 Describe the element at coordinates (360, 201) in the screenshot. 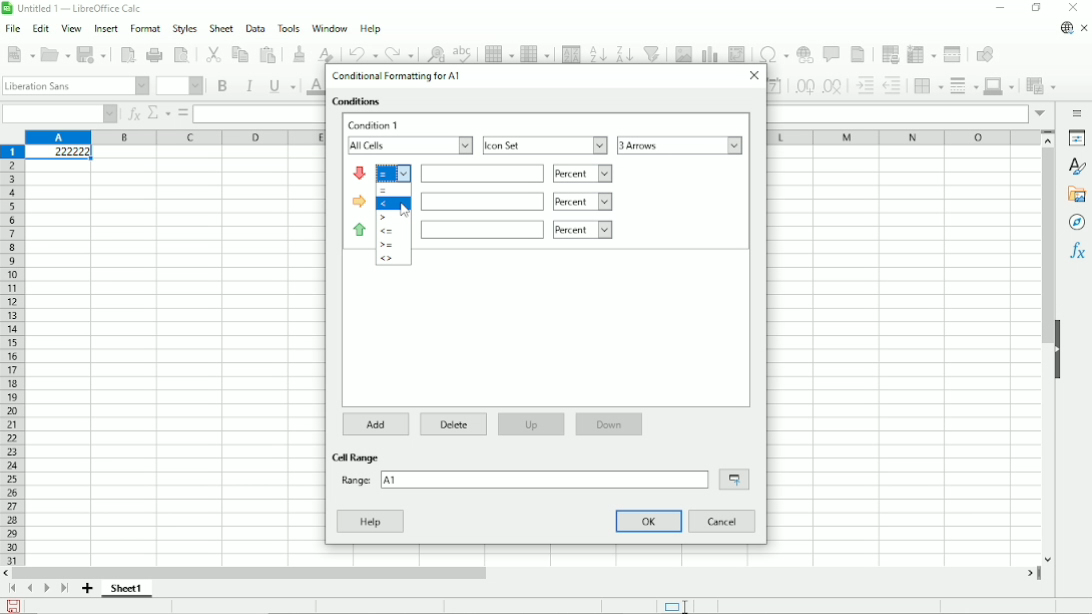

I see `icon conditions` at that location.